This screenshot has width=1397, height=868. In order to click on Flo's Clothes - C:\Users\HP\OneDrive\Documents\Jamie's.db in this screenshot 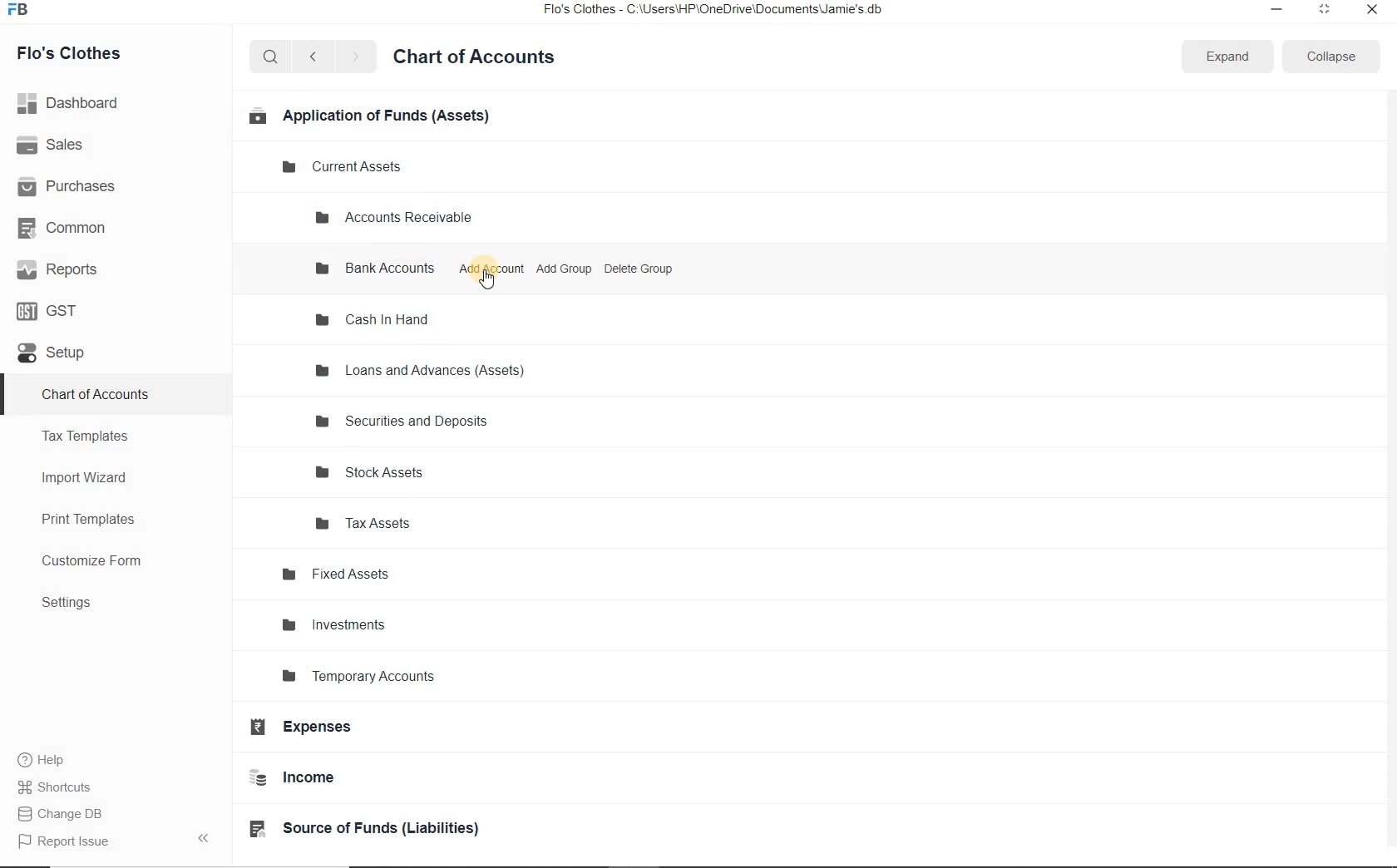, I will do `click(714, 12)`.